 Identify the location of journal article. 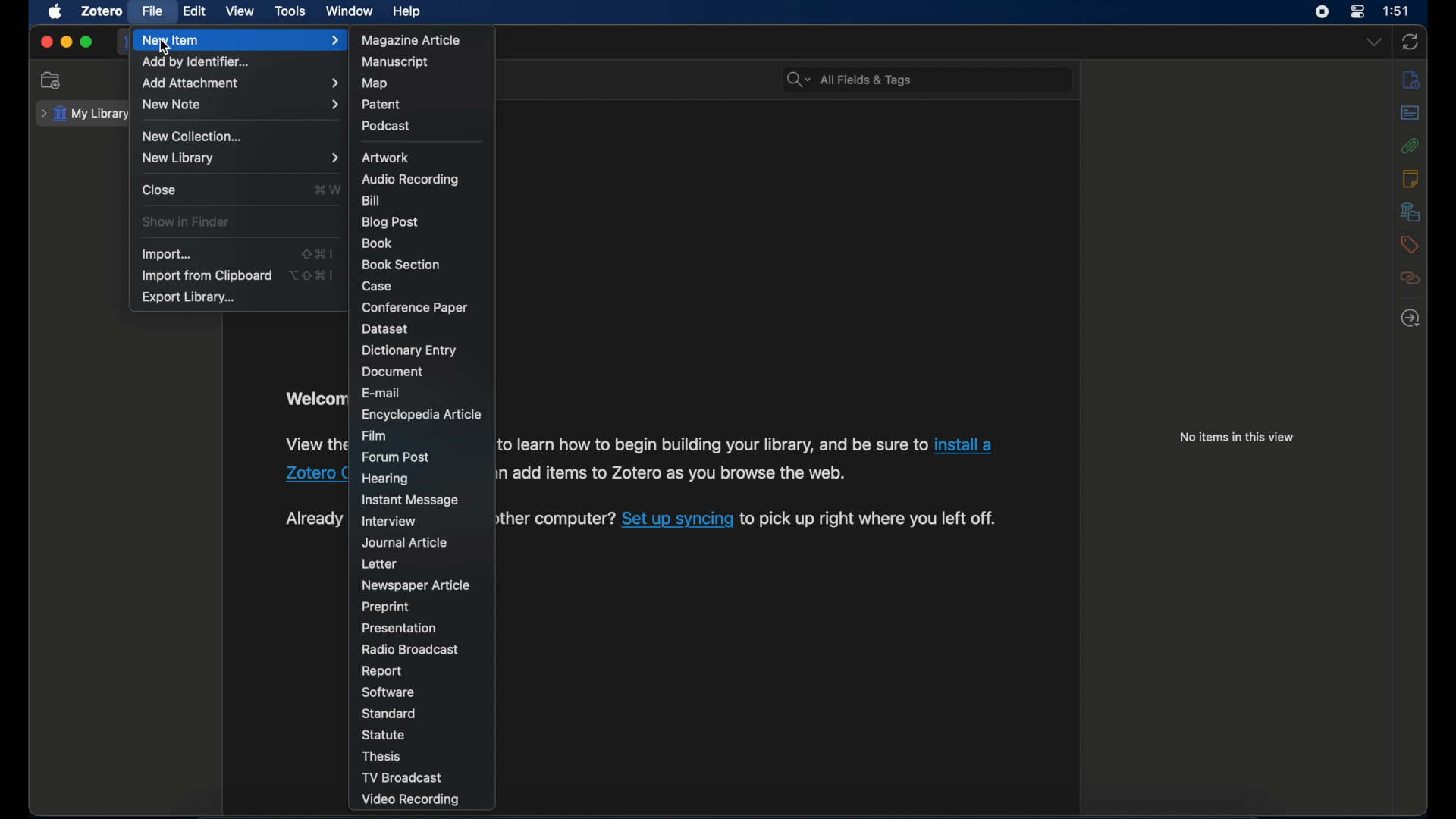
(406, 542).